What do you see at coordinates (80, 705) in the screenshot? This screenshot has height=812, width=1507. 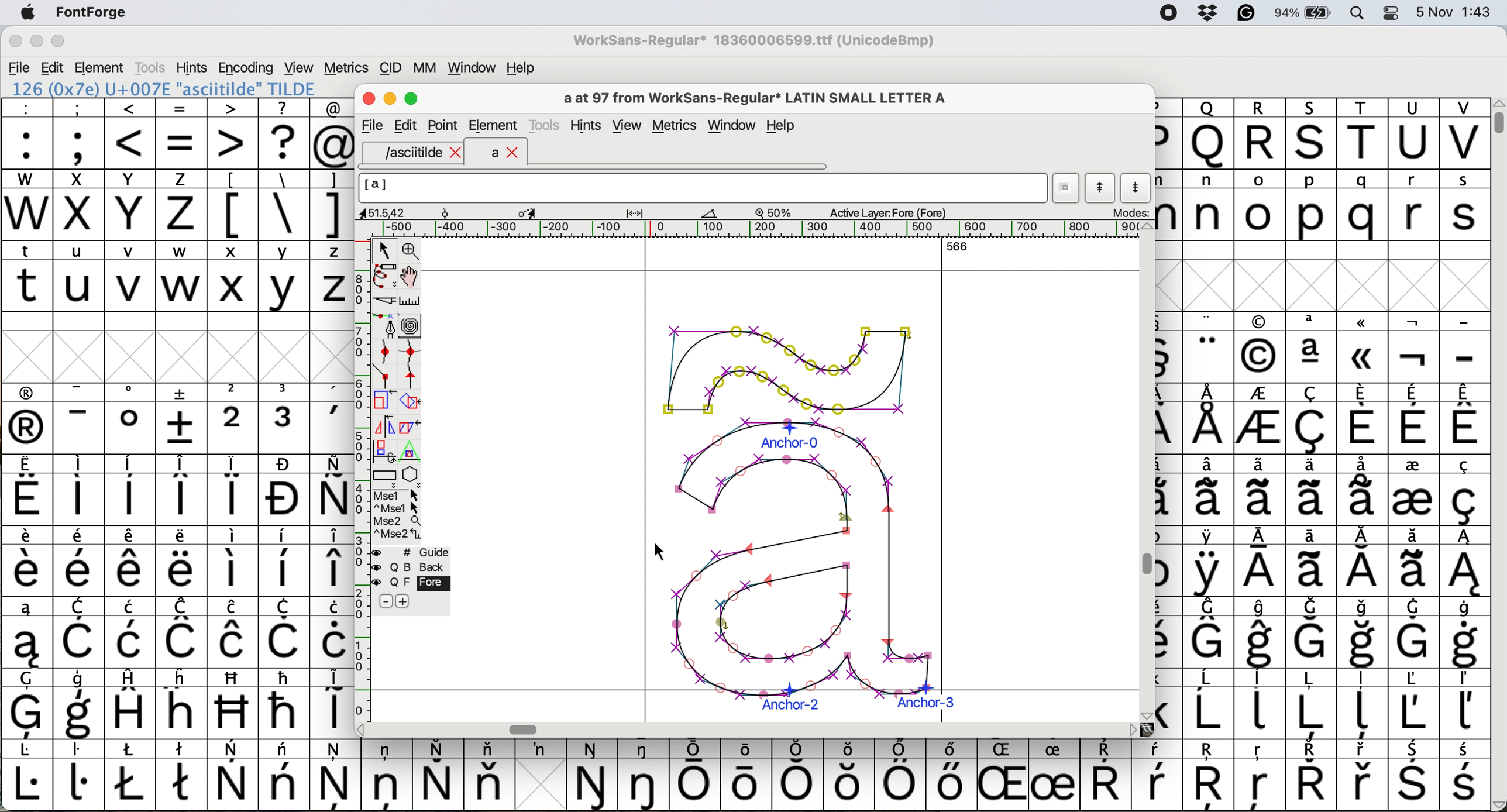 I see `symbol` at bounding box center [80, 705].